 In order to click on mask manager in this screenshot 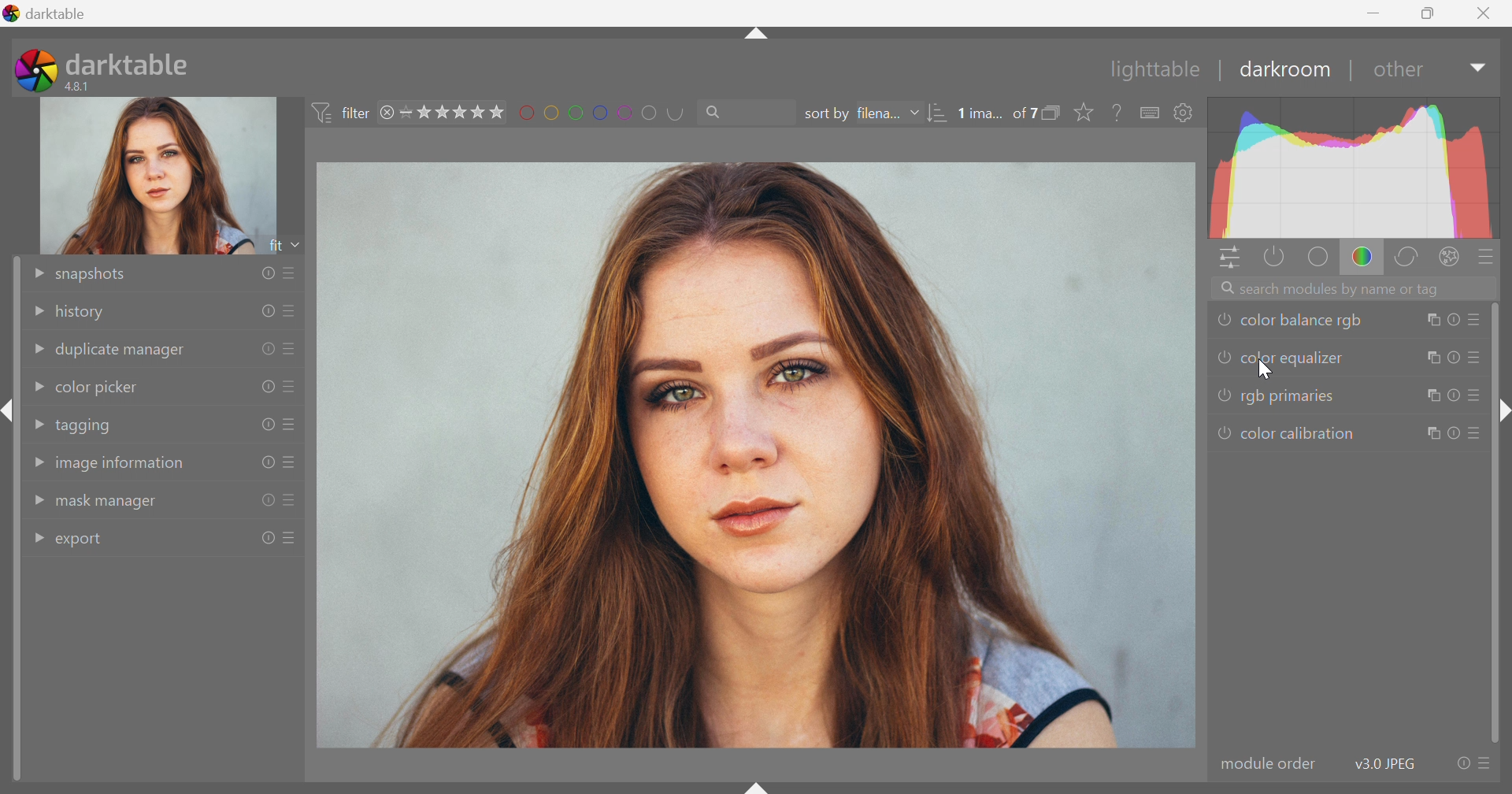, I will do `click(109, 504)`.